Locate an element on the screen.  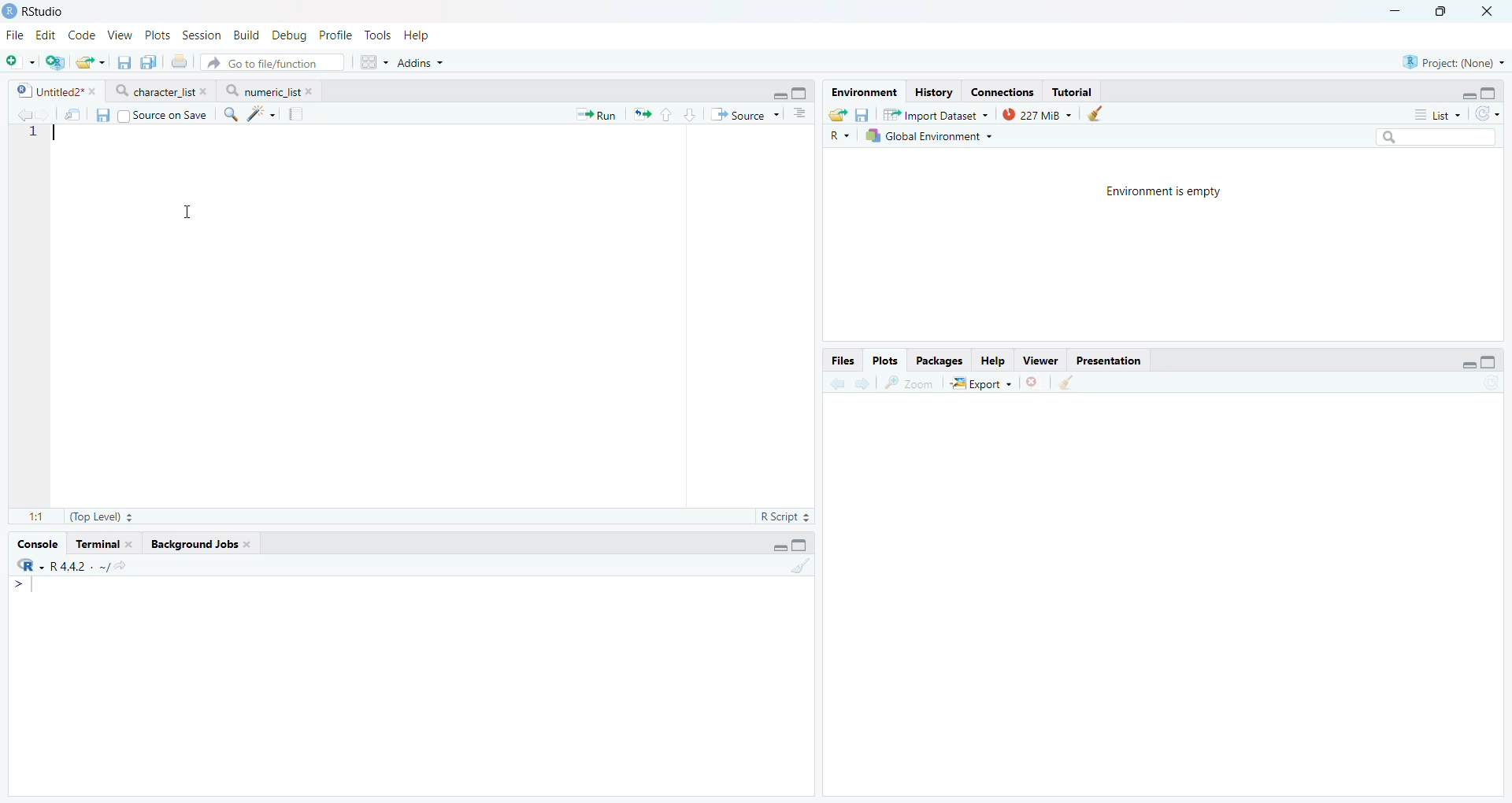
Open in new window is located at coordinates (72, 115).